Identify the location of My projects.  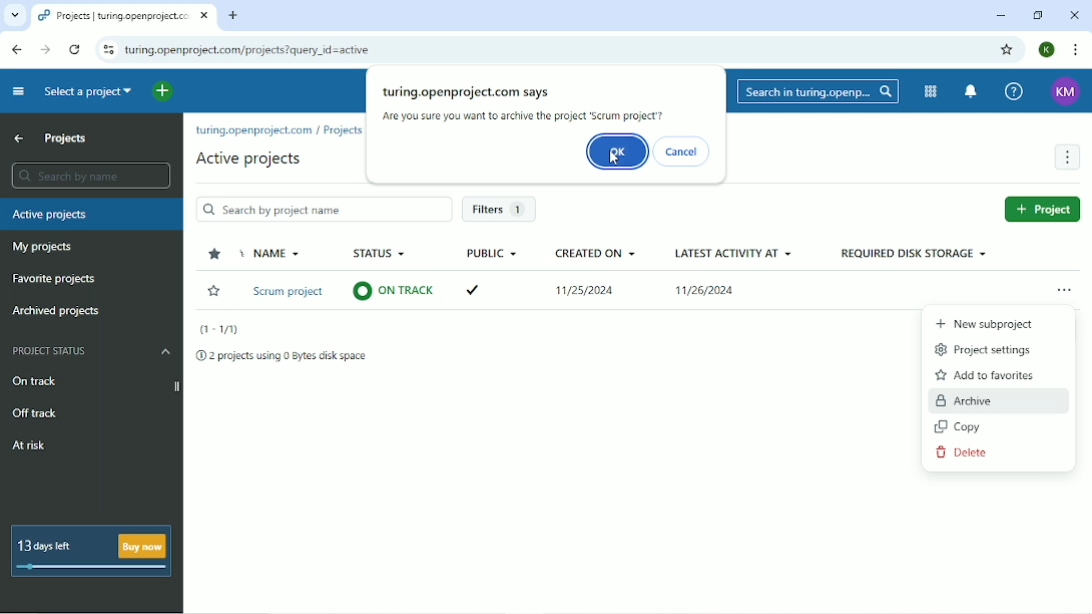
(42, 248).